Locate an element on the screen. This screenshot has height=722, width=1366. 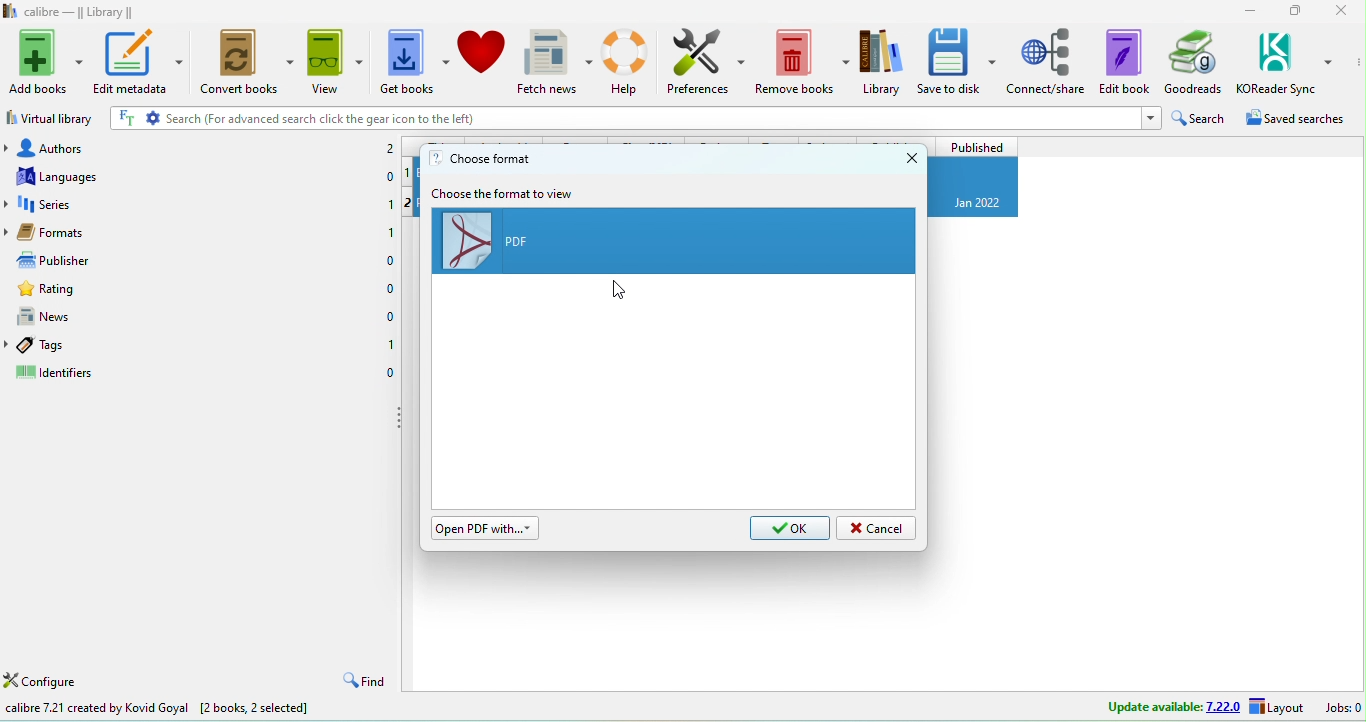
close is located at coordinates (1339, 10).